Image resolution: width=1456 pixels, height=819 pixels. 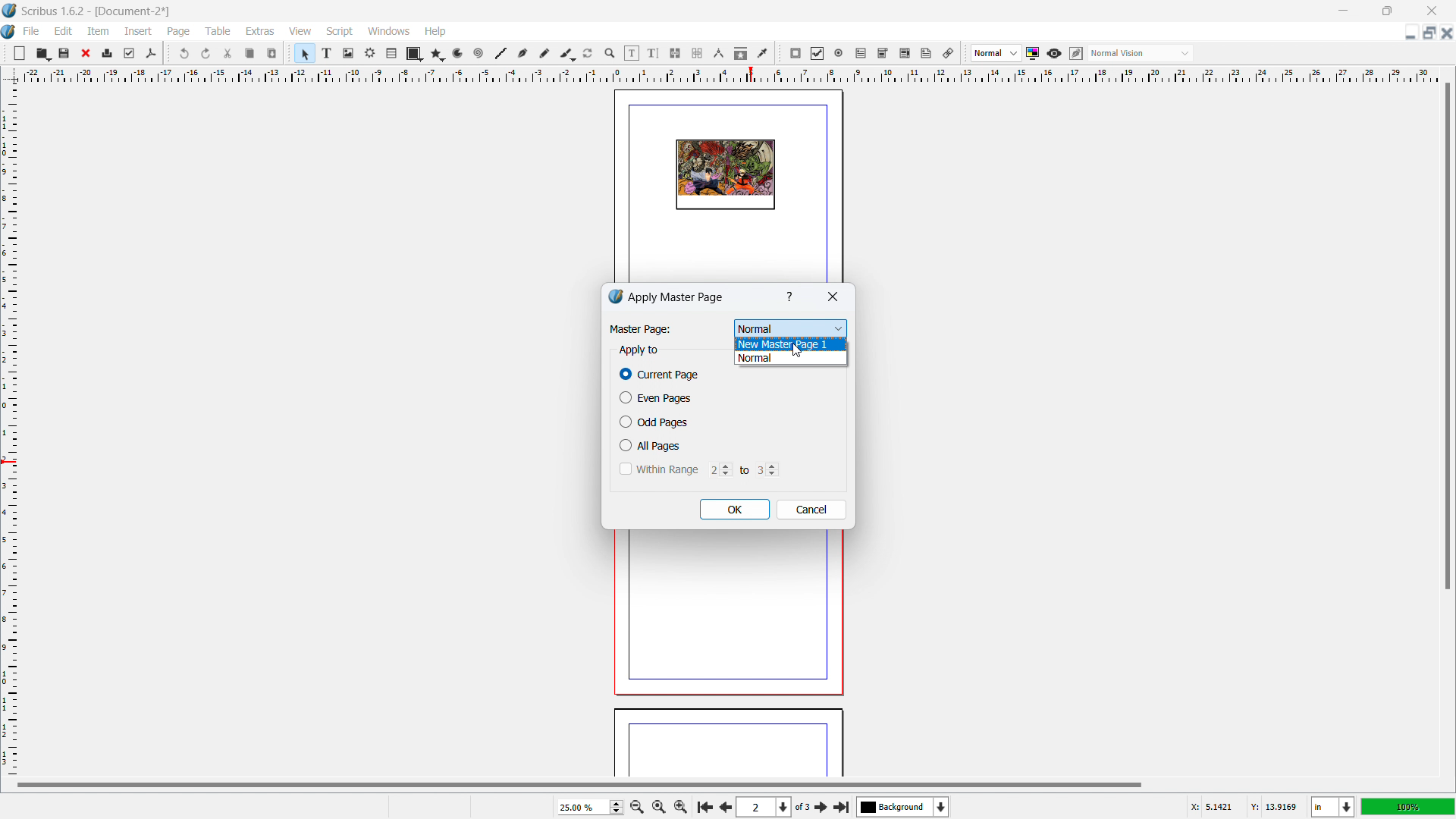 I want to click on measurement, so click(x=718, y=54).